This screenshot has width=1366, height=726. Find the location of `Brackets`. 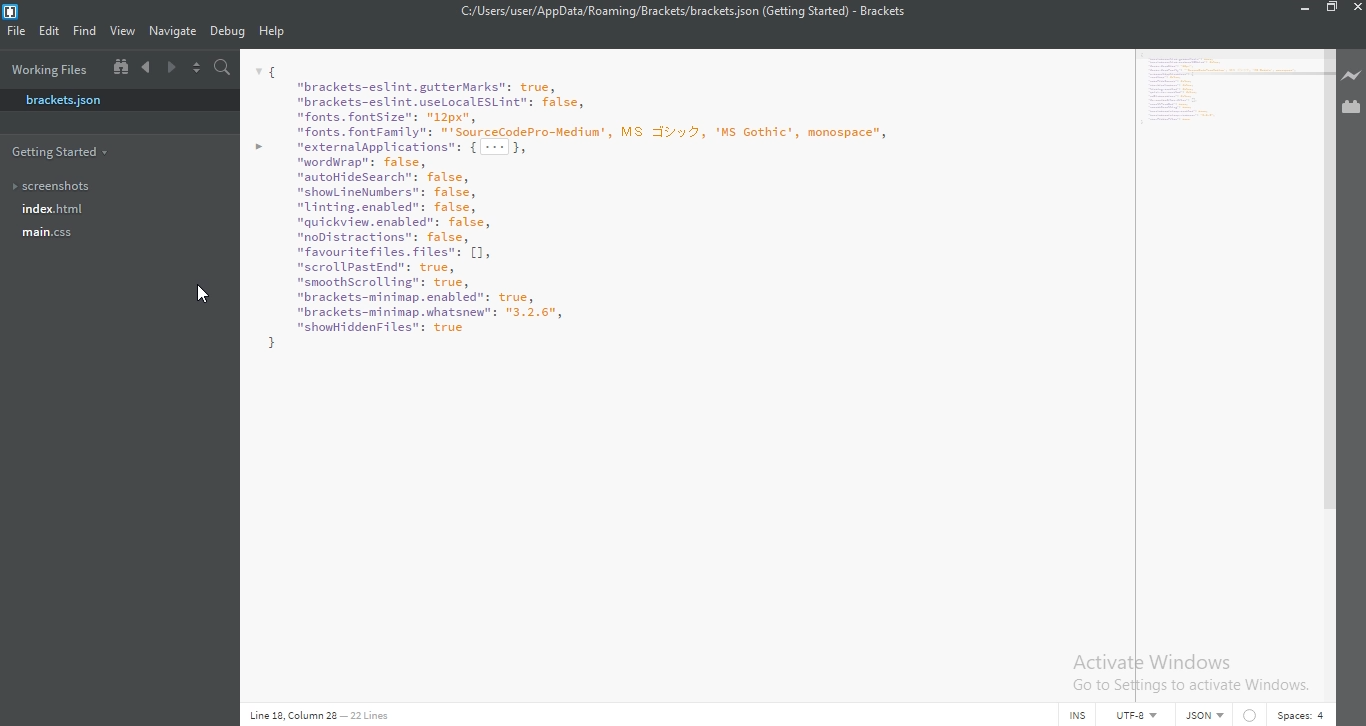

Brackets is located at coordinates (883, 11).